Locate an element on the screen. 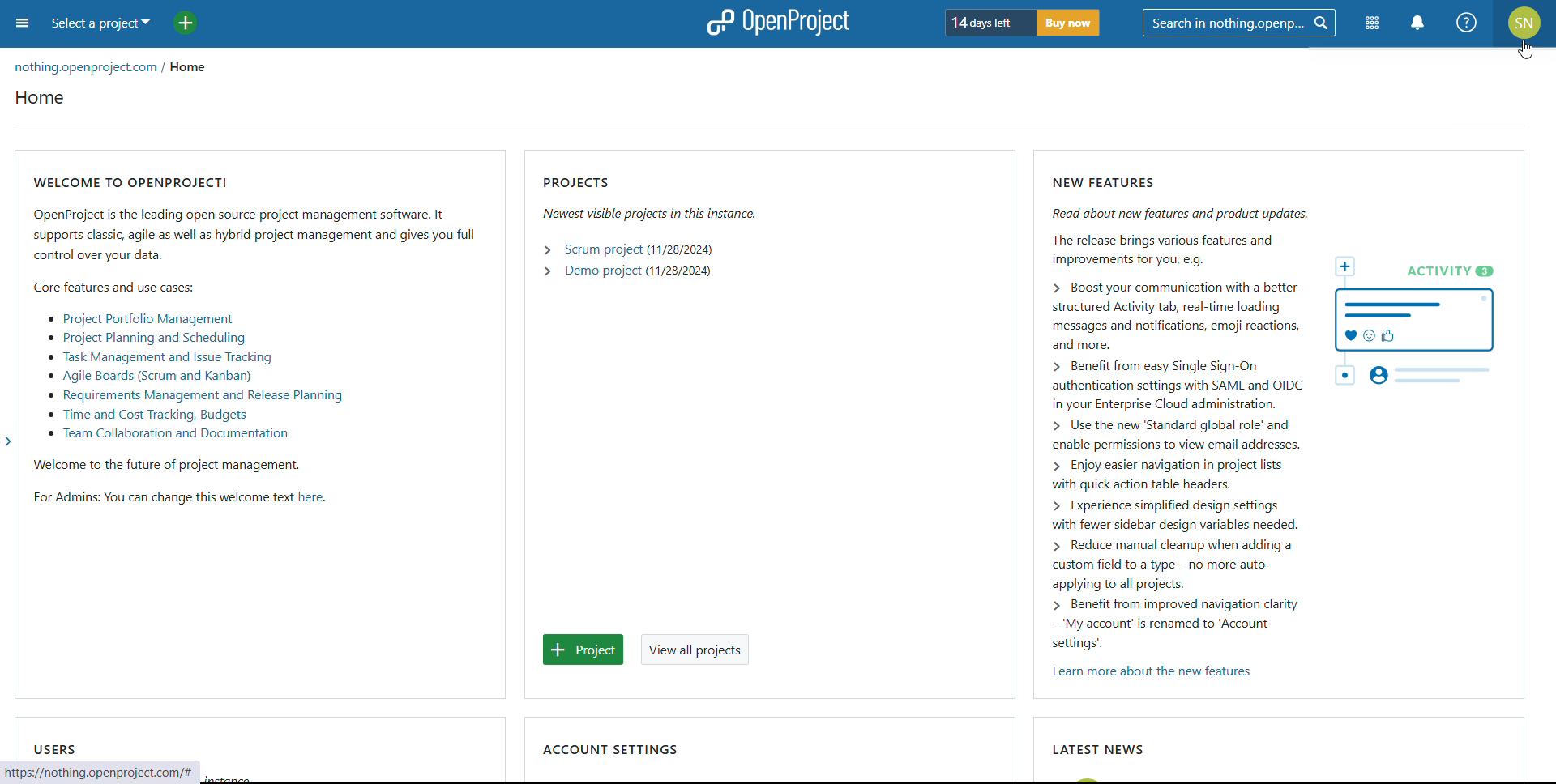 The width and height of the screenshot is (1556, 784). add project is located at coordinates (186, 23).